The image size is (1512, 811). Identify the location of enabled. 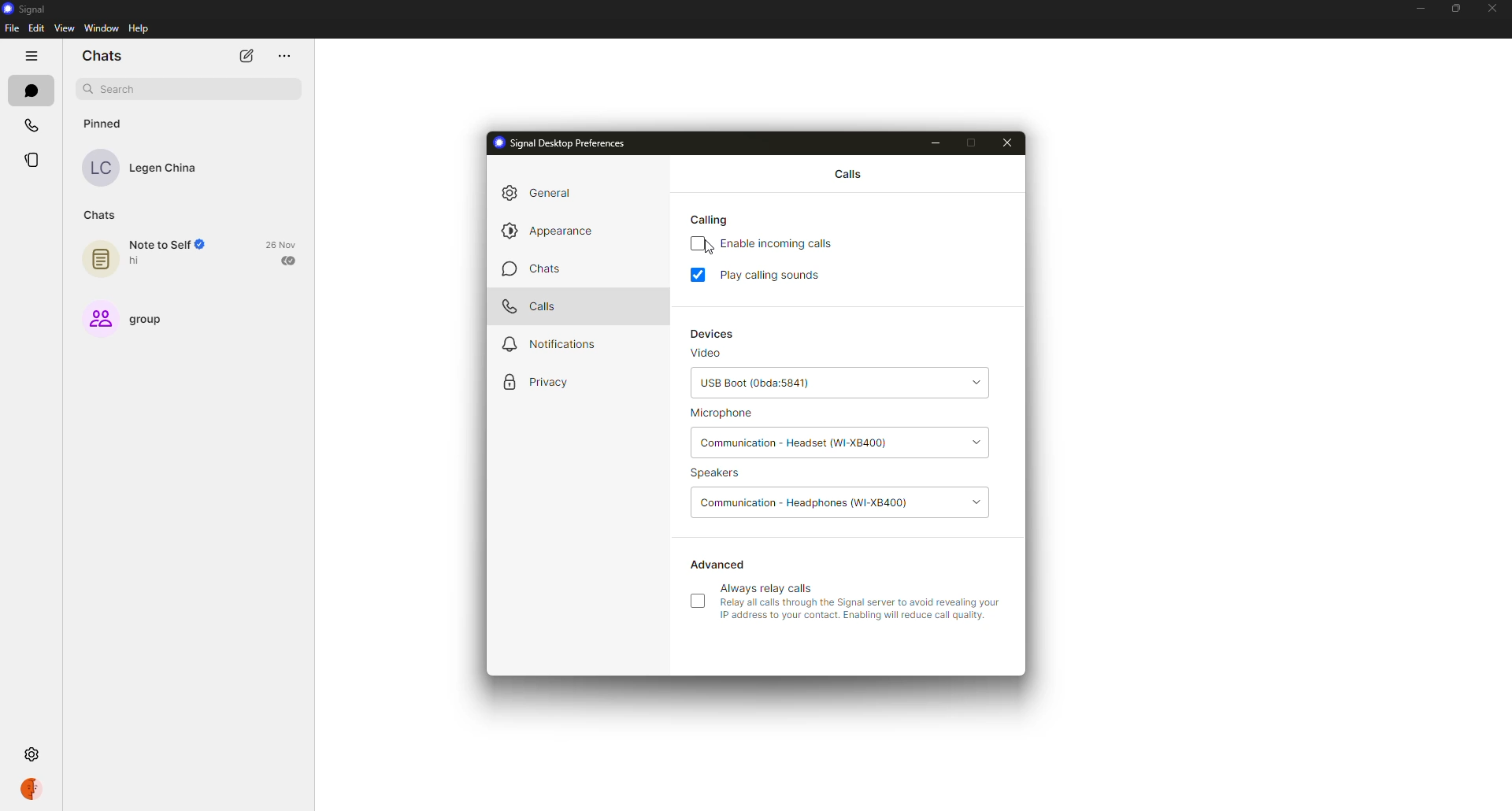
(699, 273).